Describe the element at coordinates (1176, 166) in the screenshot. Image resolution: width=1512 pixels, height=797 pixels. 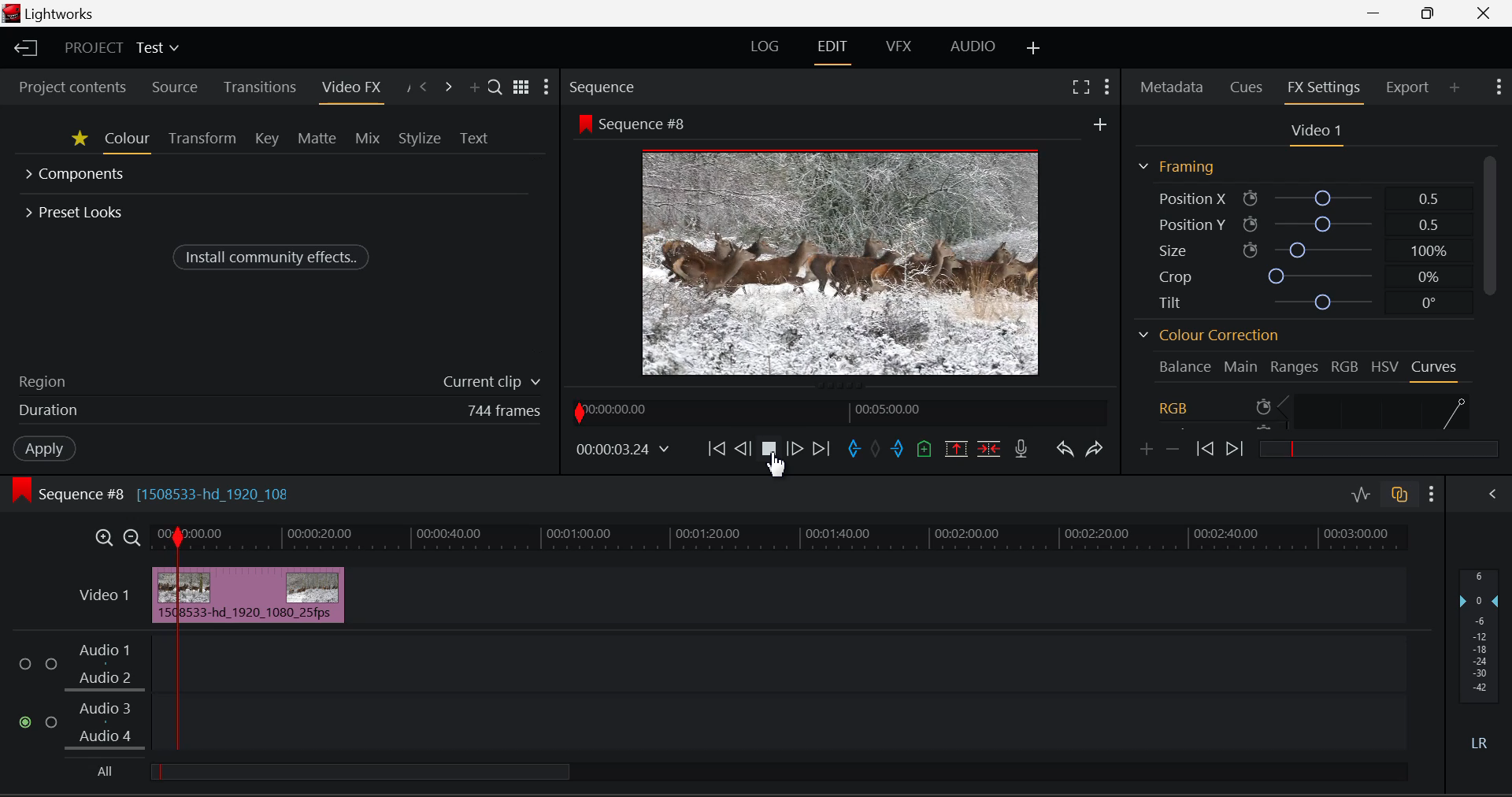
I see `Framing Section` at that location.